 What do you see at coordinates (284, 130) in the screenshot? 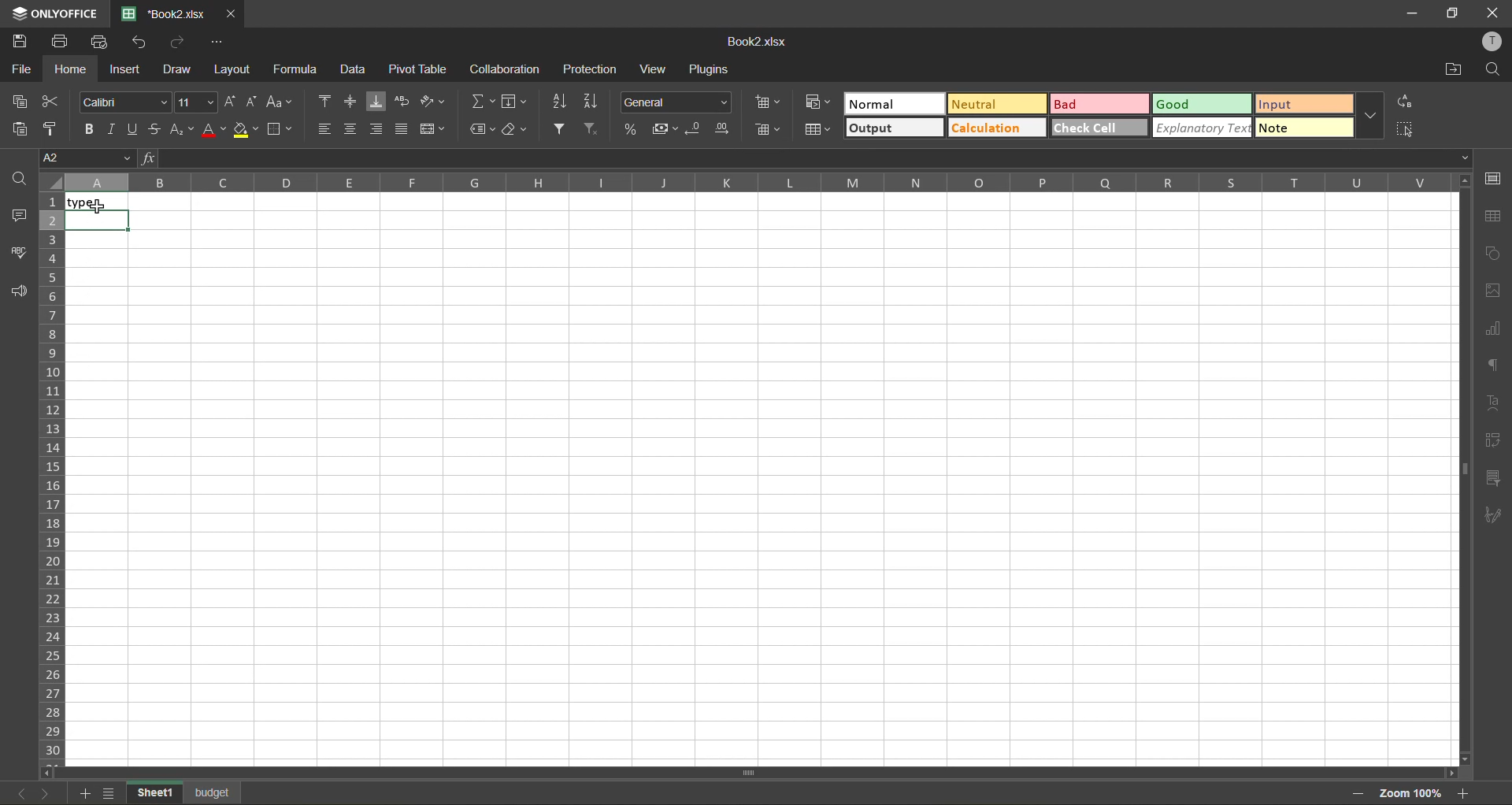
I see `borders` at bounding box center [284, 130].